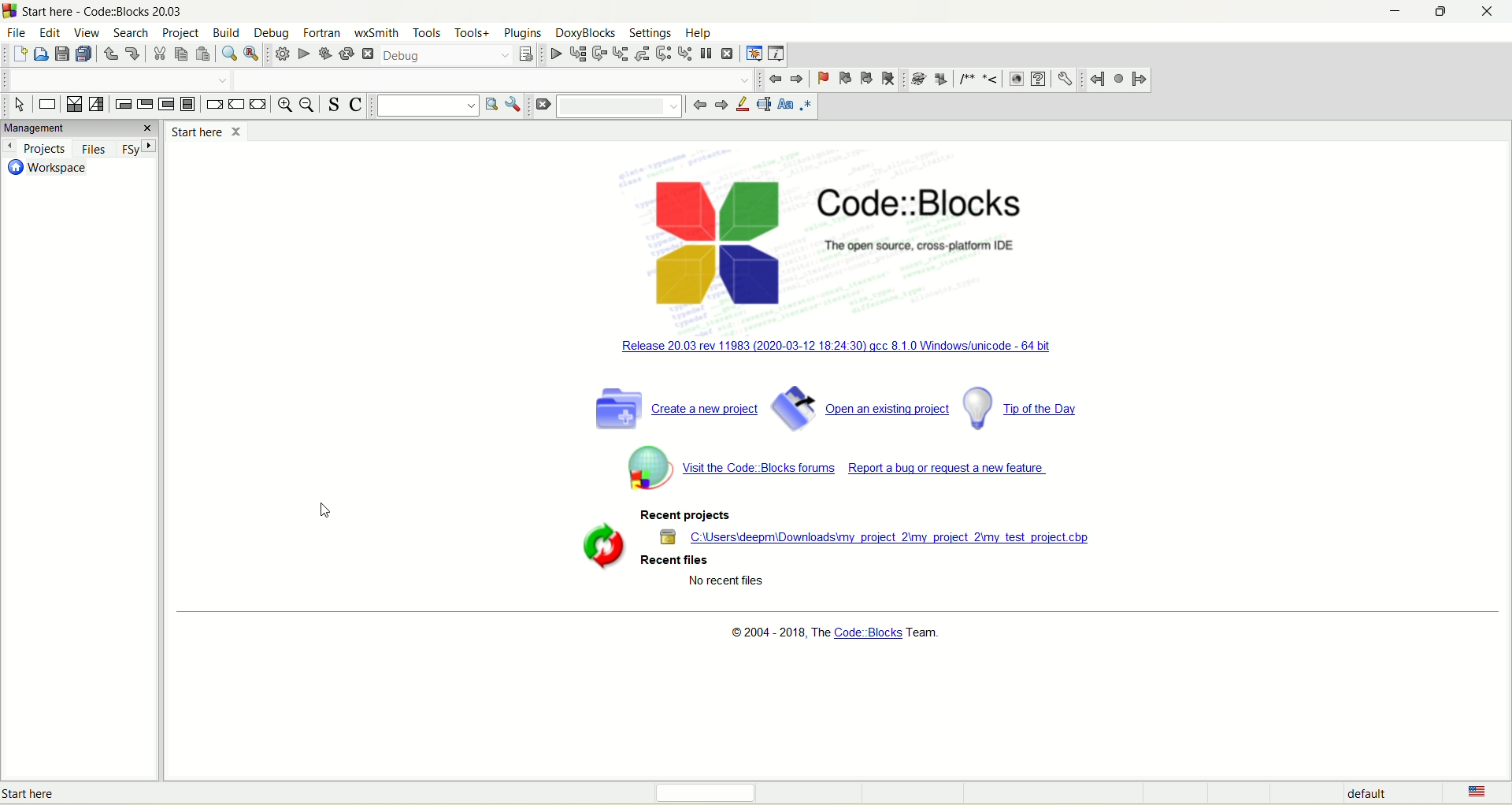 This screenshot has width=1512, height=805. I want to click on zoom out, so click(309, 105).